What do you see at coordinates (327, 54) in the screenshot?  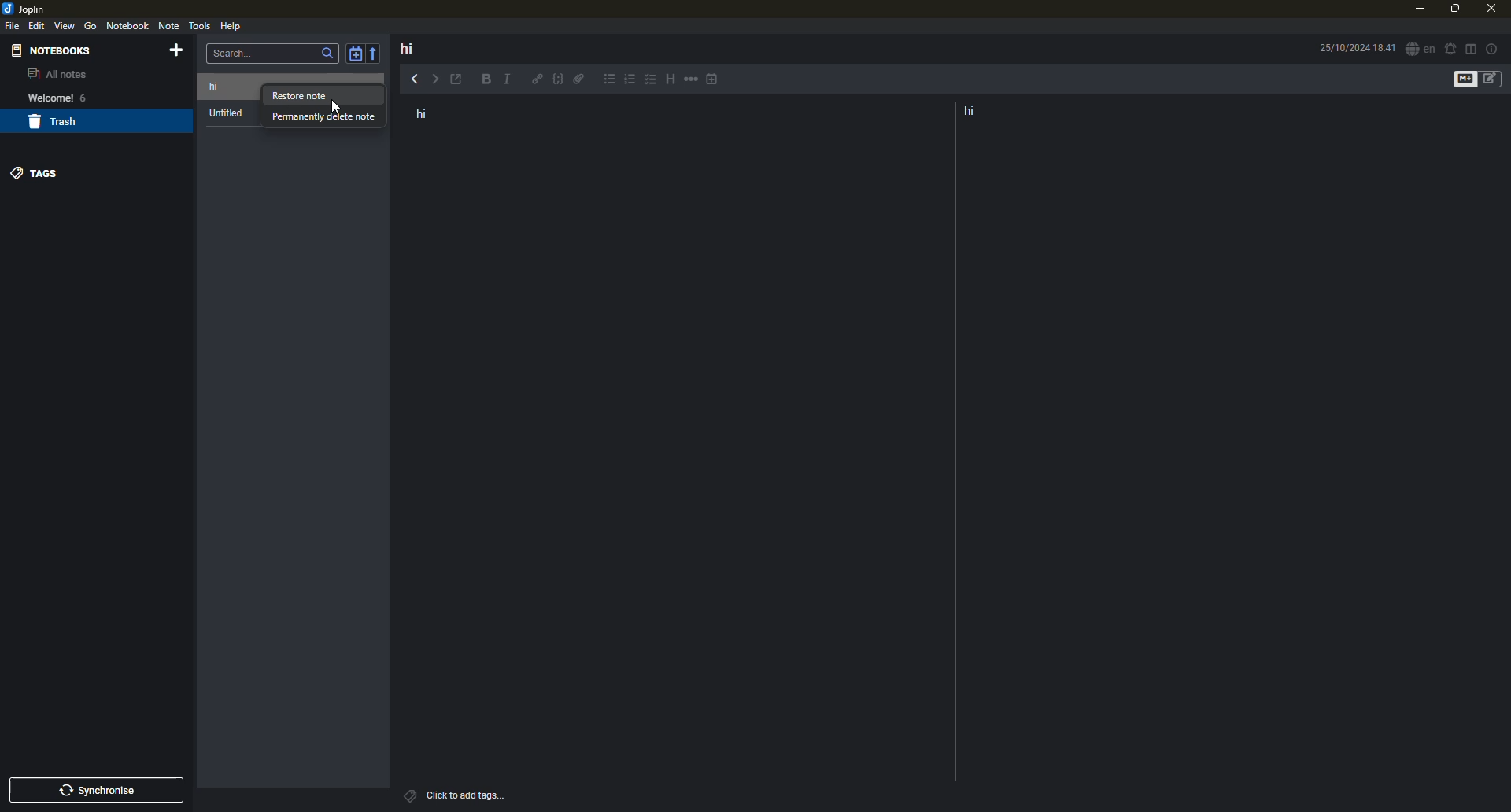 I see `search` at bounding box center [327, 54].